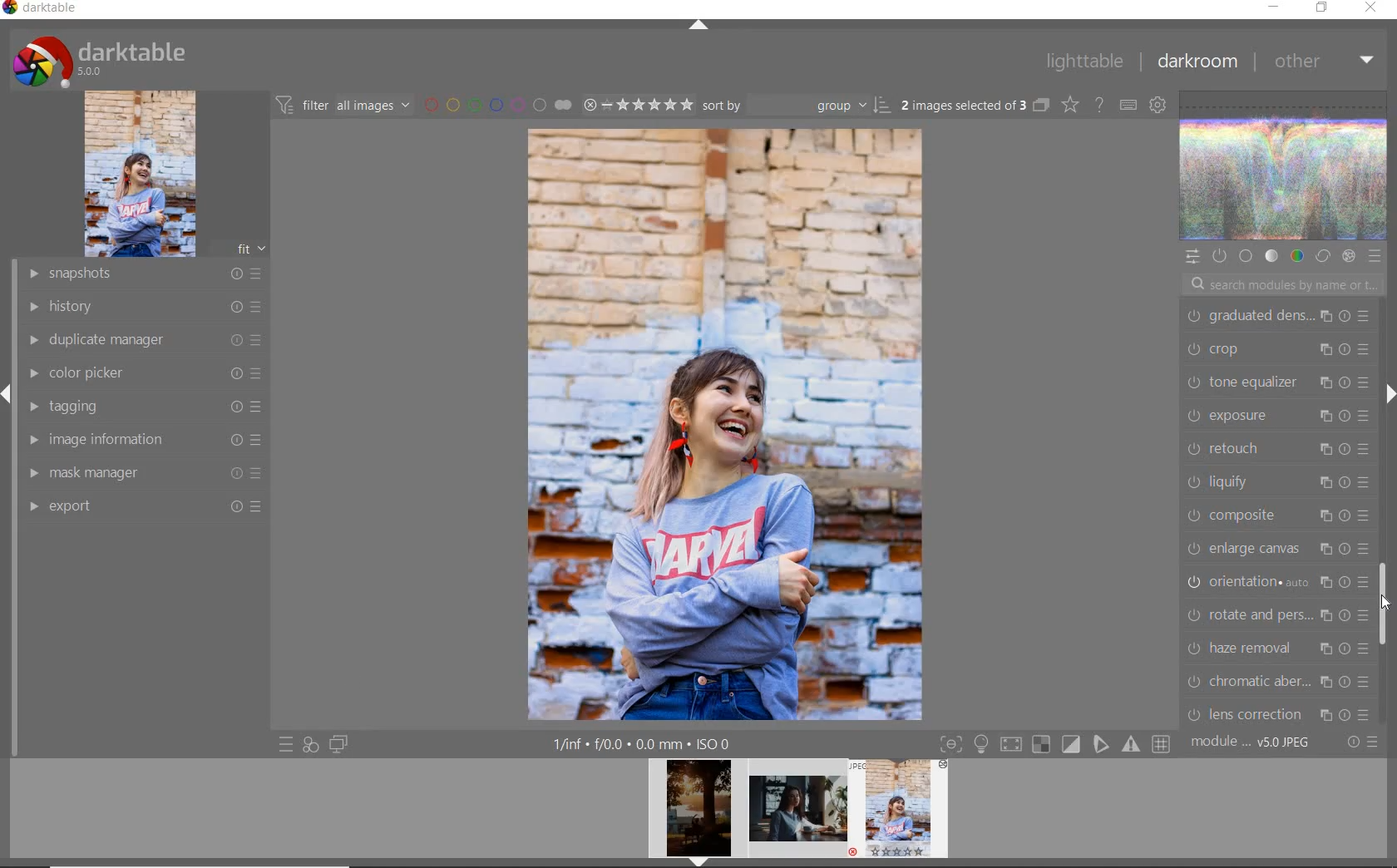 This screenshot has width=1397, height=868. Describe the element at coordinates (1055, 742) in the screenshot. I see `toggle modes` at that location.